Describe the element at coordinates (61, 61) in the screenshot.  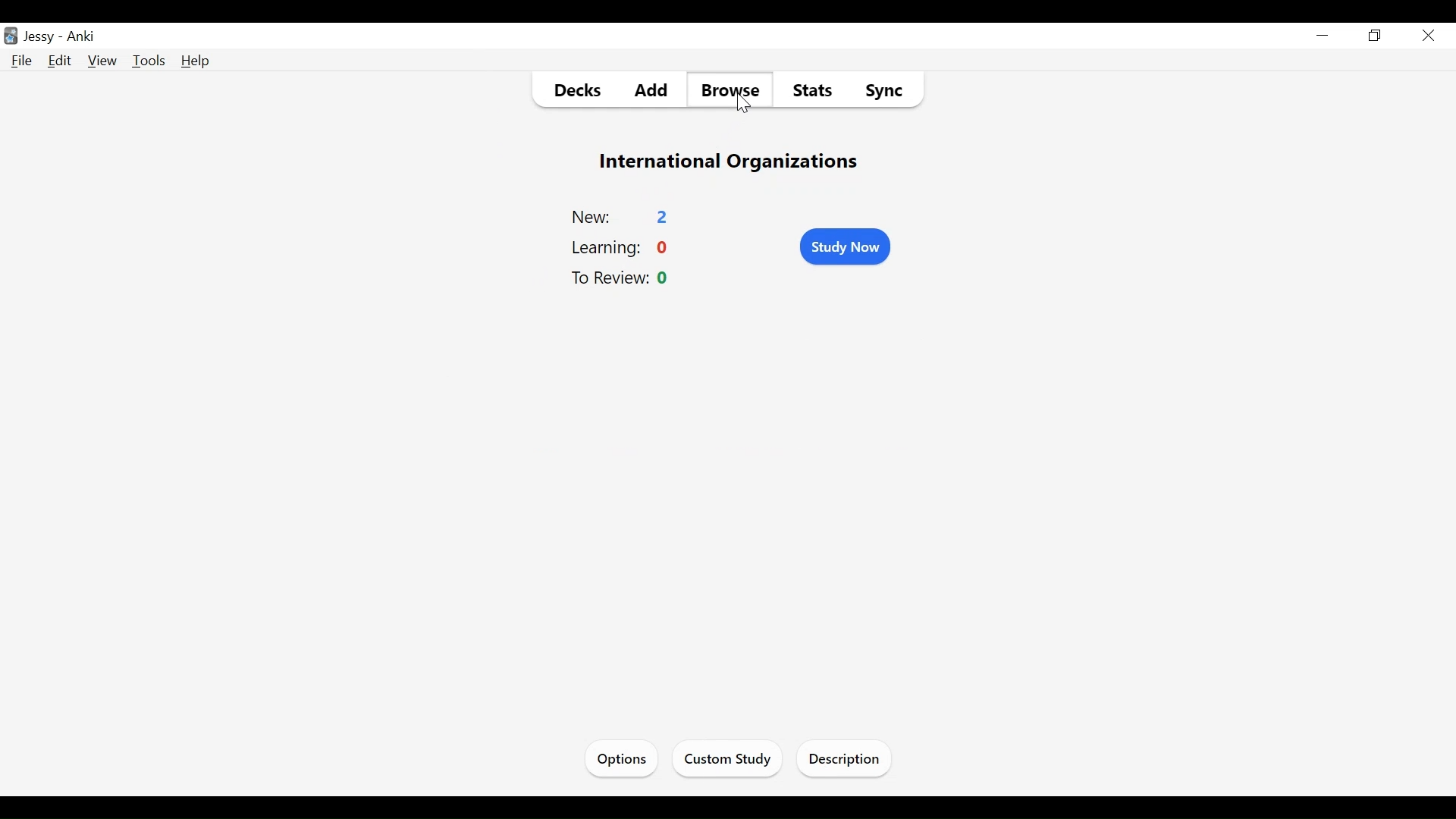
I see `Edit` at that location.